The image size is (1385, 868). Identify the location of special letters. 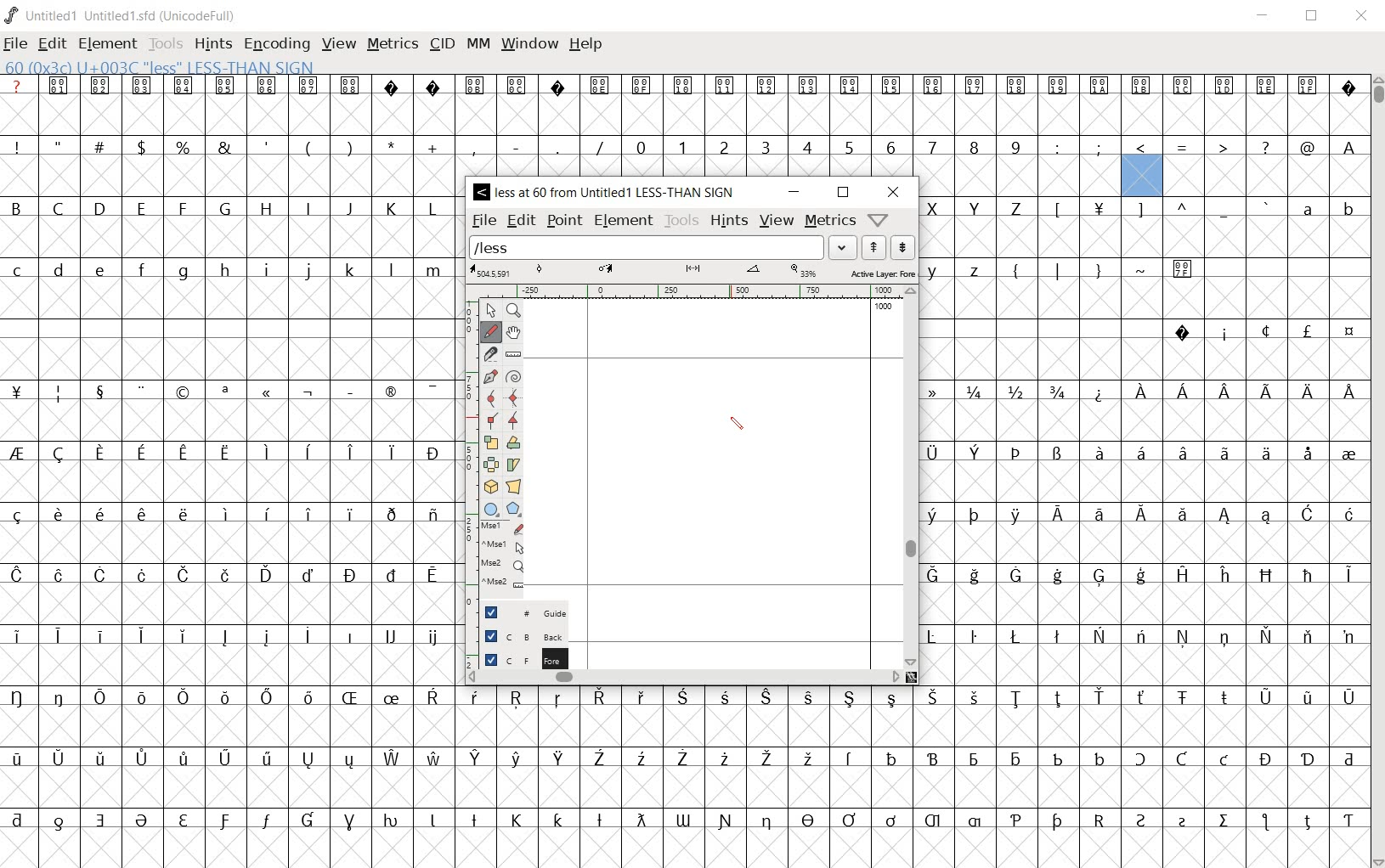
(235, 452).